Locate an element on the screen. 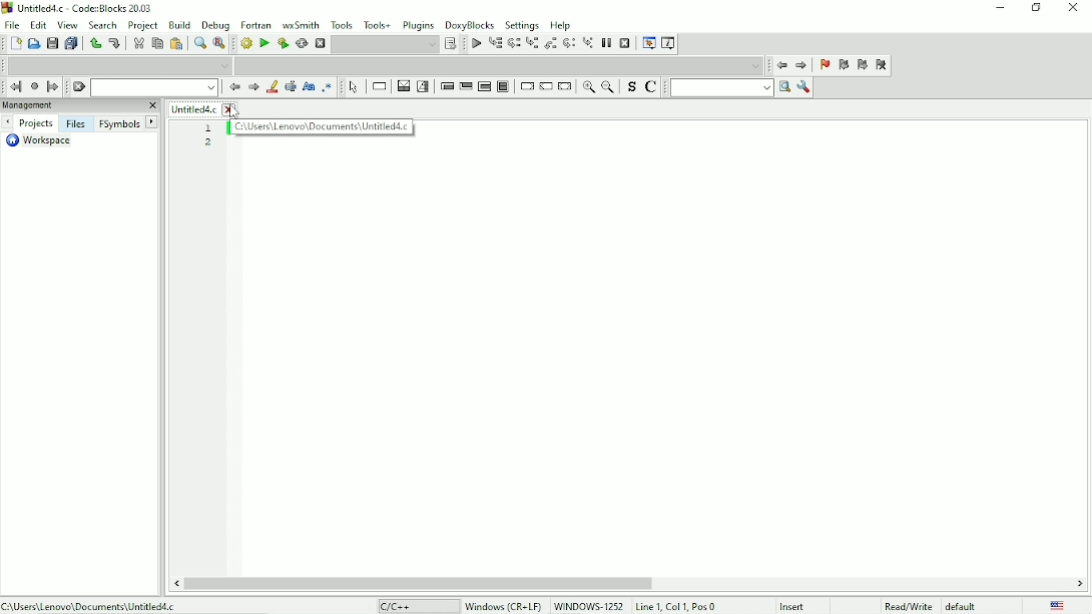  Back jump is located at coordinates (15, 87).